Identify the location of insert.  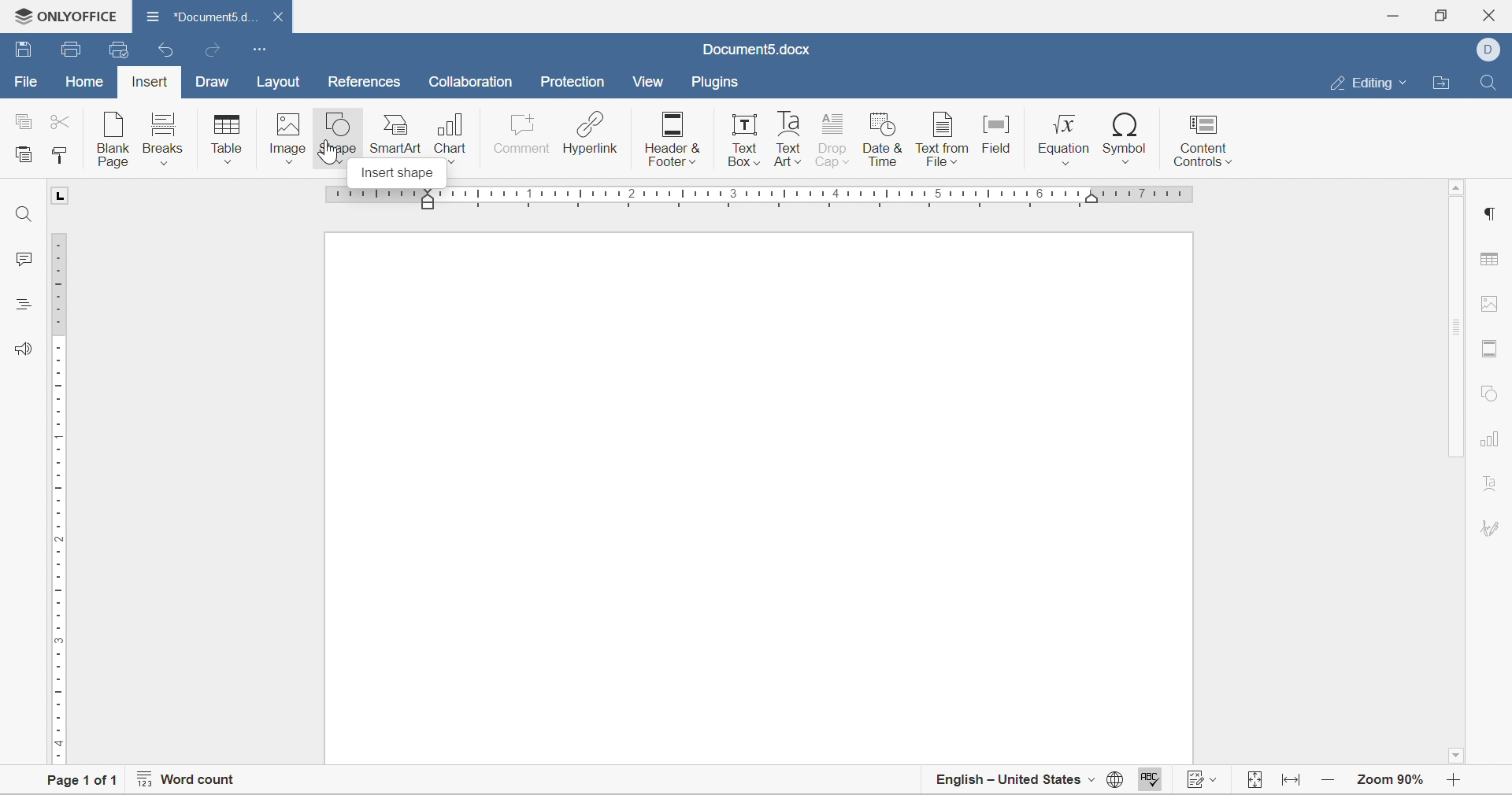
(153, 80).